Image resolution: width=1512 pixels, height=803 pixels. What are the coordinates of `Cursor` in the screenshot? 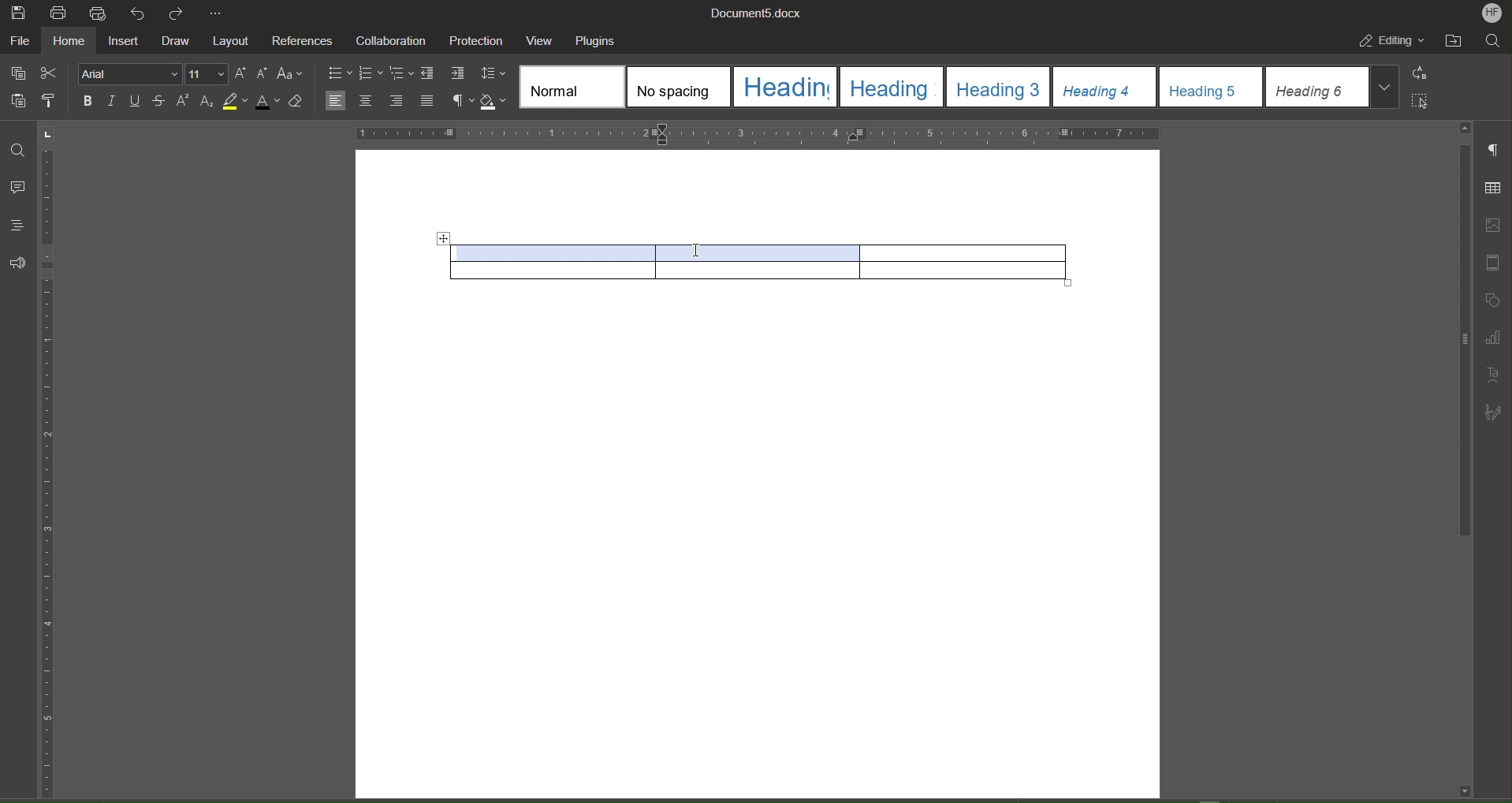 It's located at (694, 246).